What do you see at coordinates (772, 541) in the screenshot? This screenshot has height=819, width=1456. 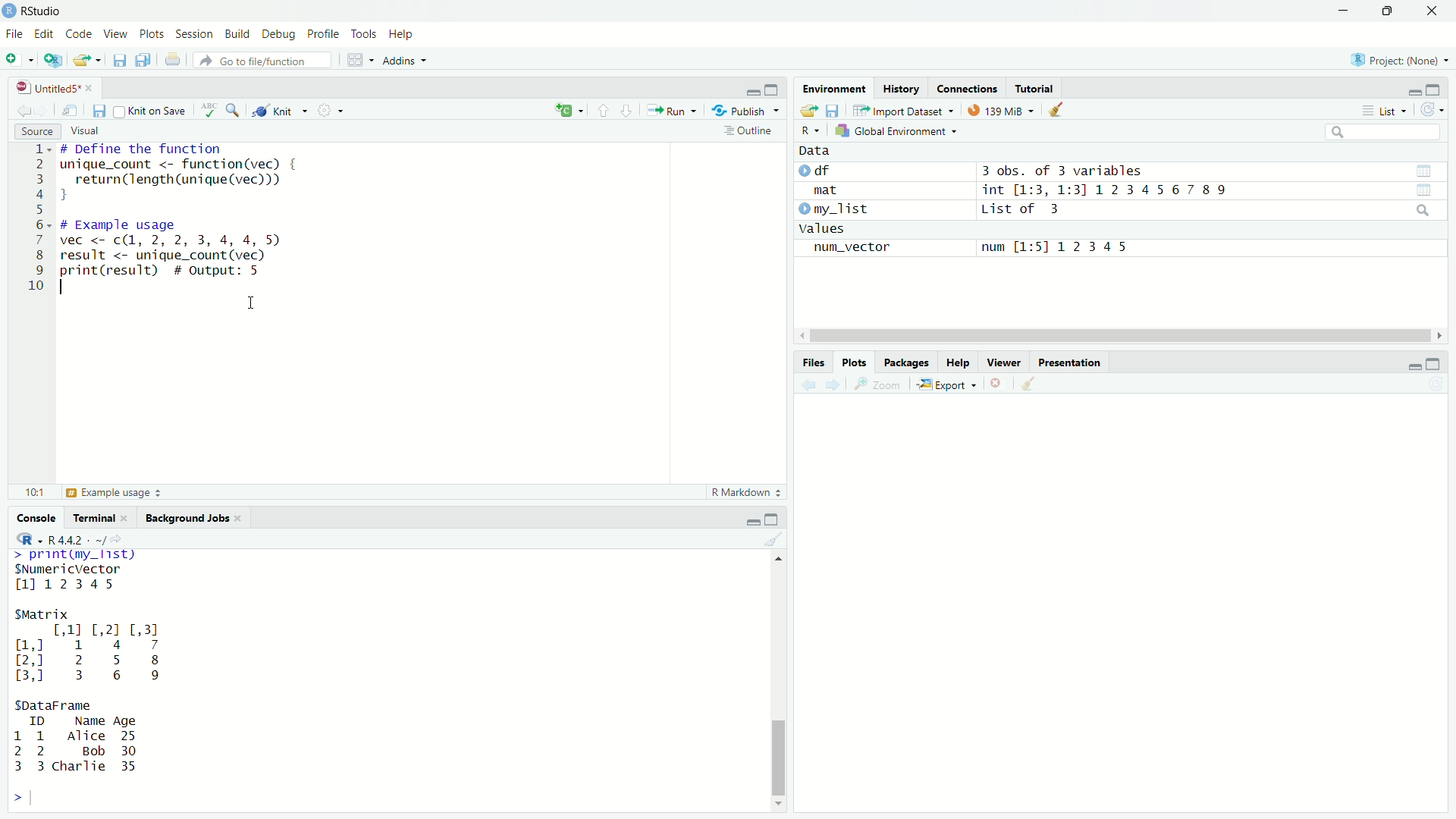 I see `clear console` at bounding box center [772, 541].